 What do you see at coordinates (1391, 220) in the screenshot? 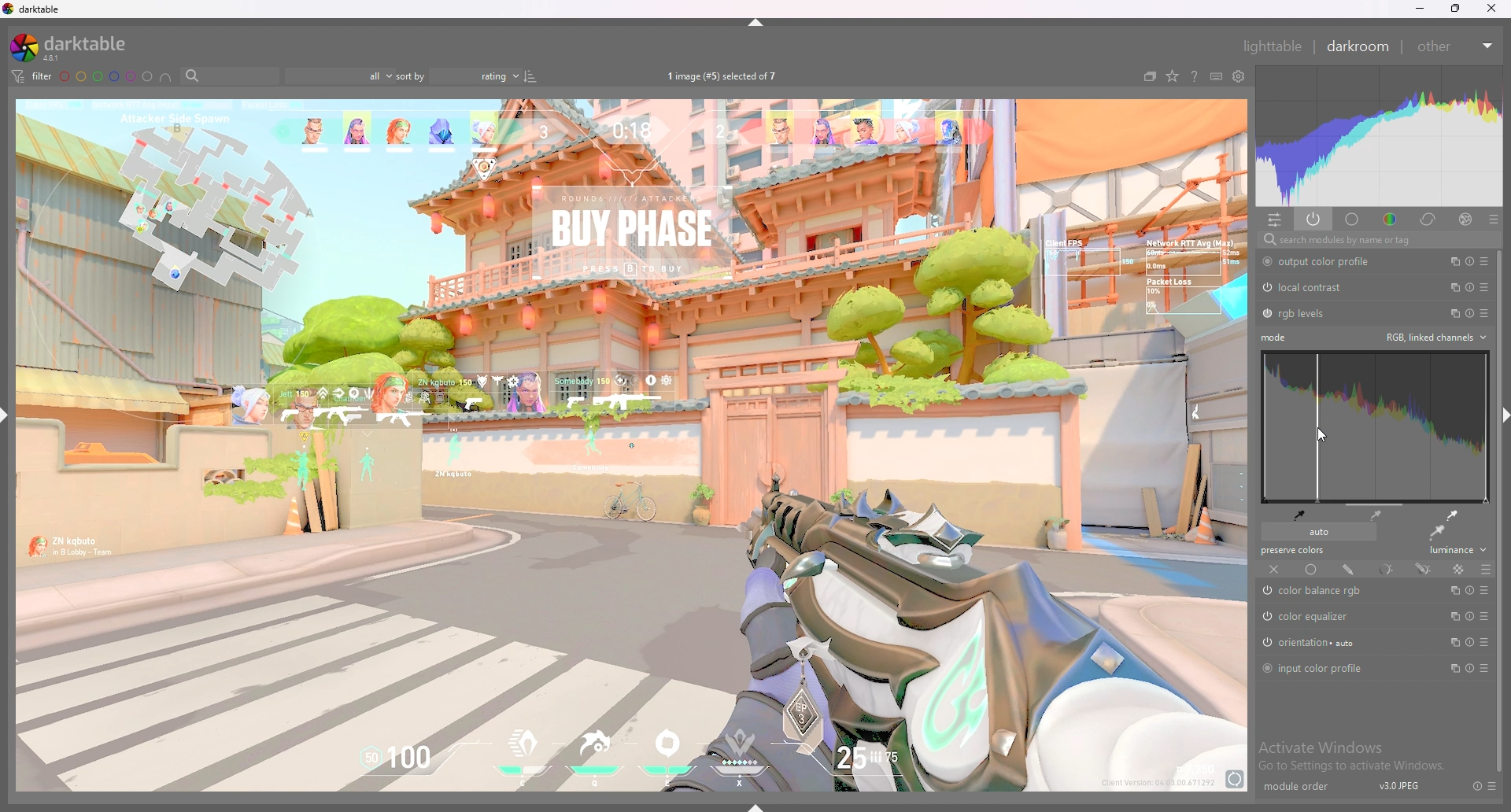
I see `color` at bounding box center [1391, 220].